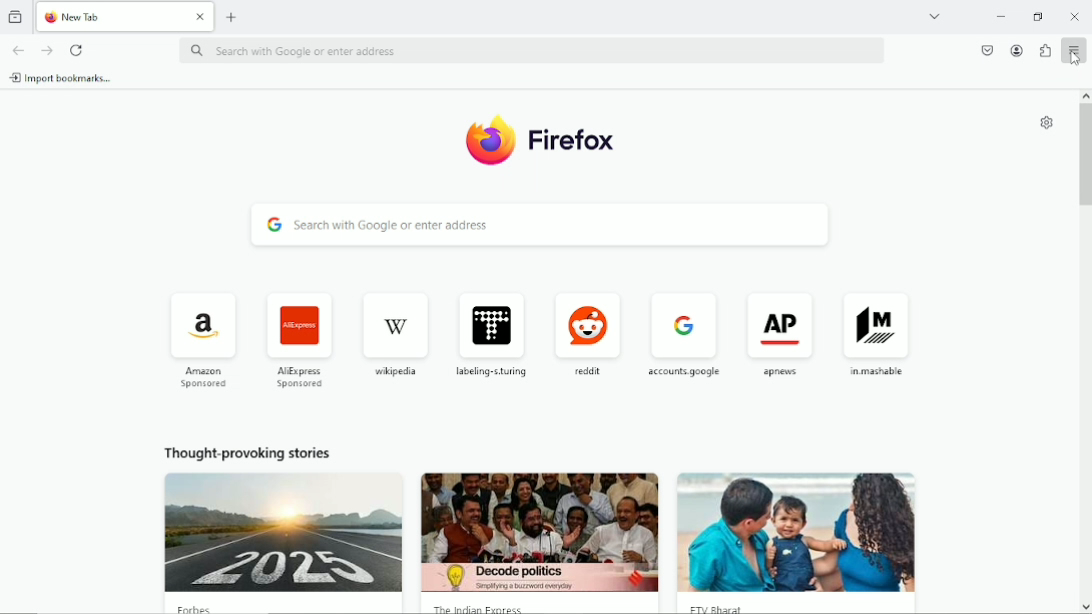 This screenshot has height=614, width=1092. I want to click on restore down, so click(1039, 17).